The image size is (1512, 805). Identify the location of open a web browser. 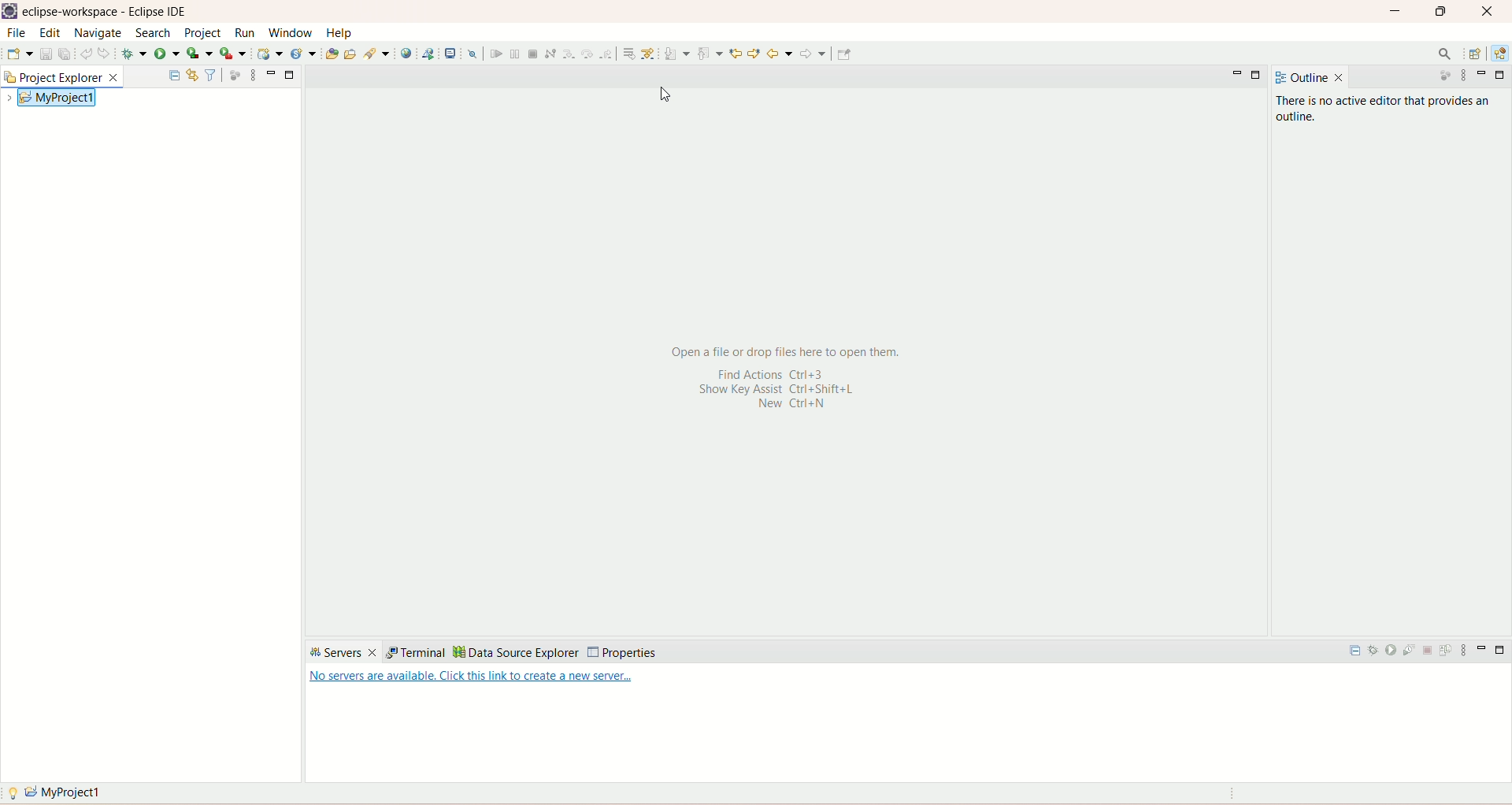
(409, 54).